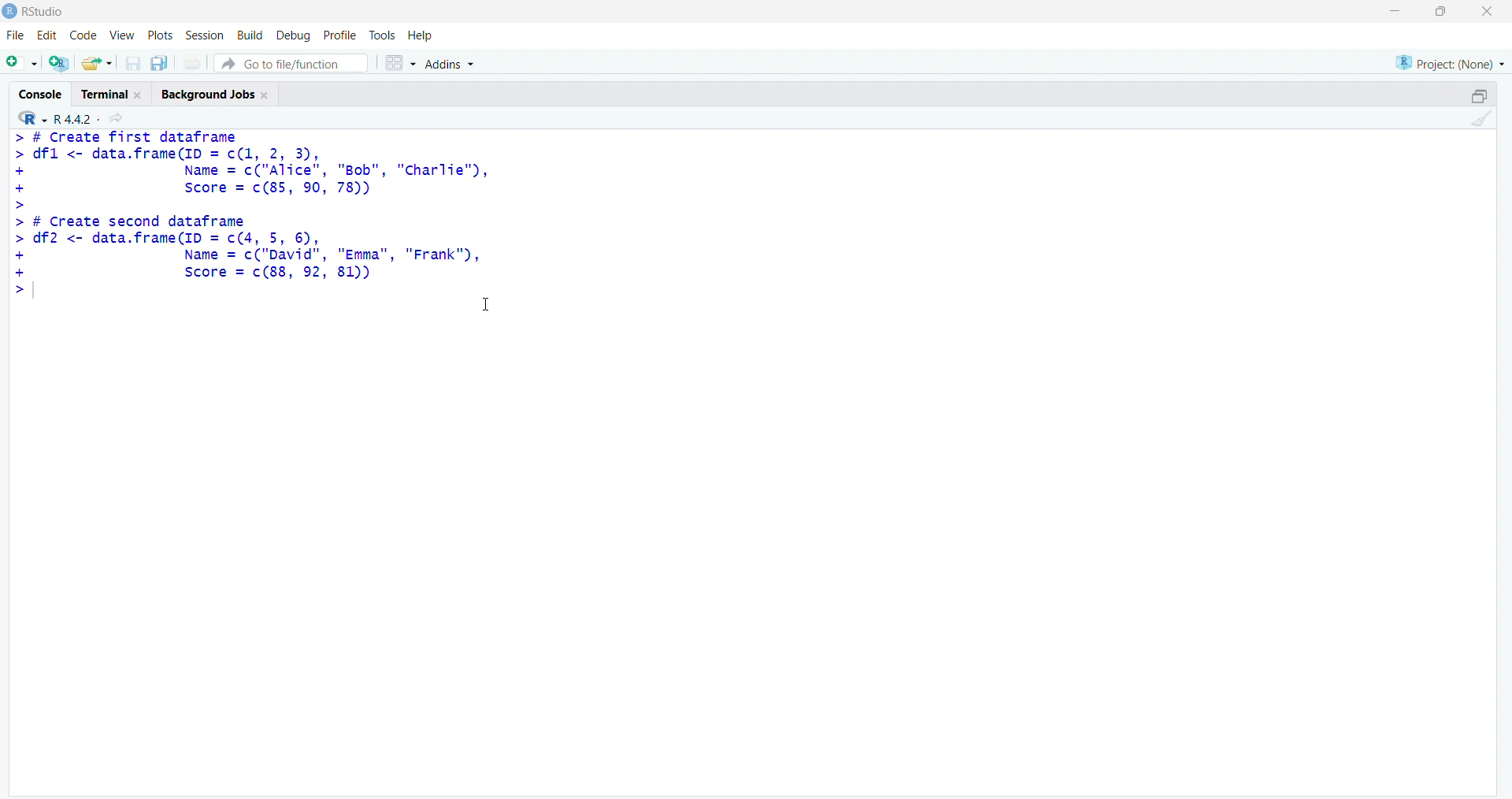 The height and width of the screenshot is (799, 1512). What do you see at coordinates (119, 35) in the screenshot?
I see `View` at bounding box center [119, 35].